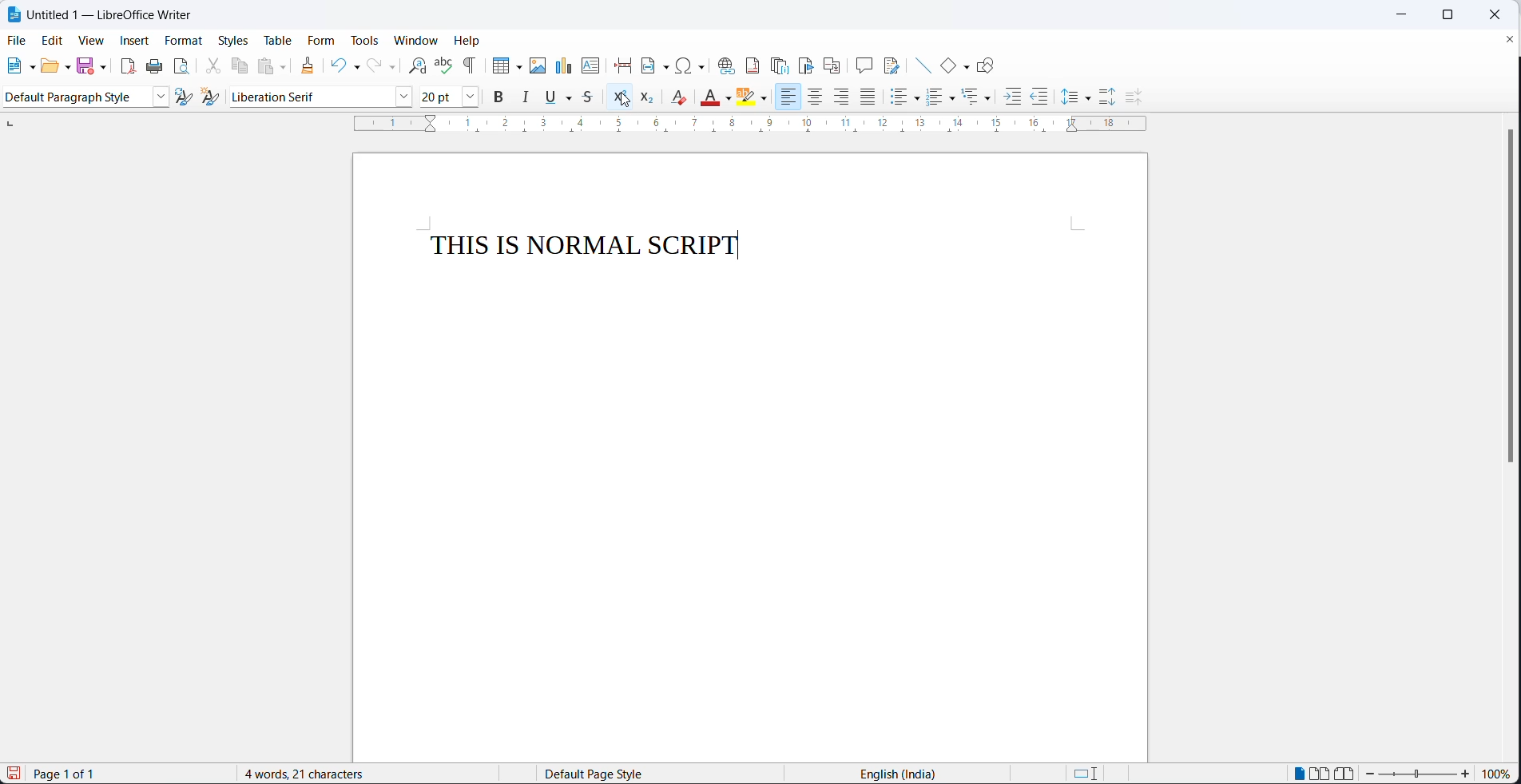 Image resolution: width=1521 pixels, height=784 pixels. Describe the element at coordinates (844, 97) in the screenshot. I see `text align right` at that location.